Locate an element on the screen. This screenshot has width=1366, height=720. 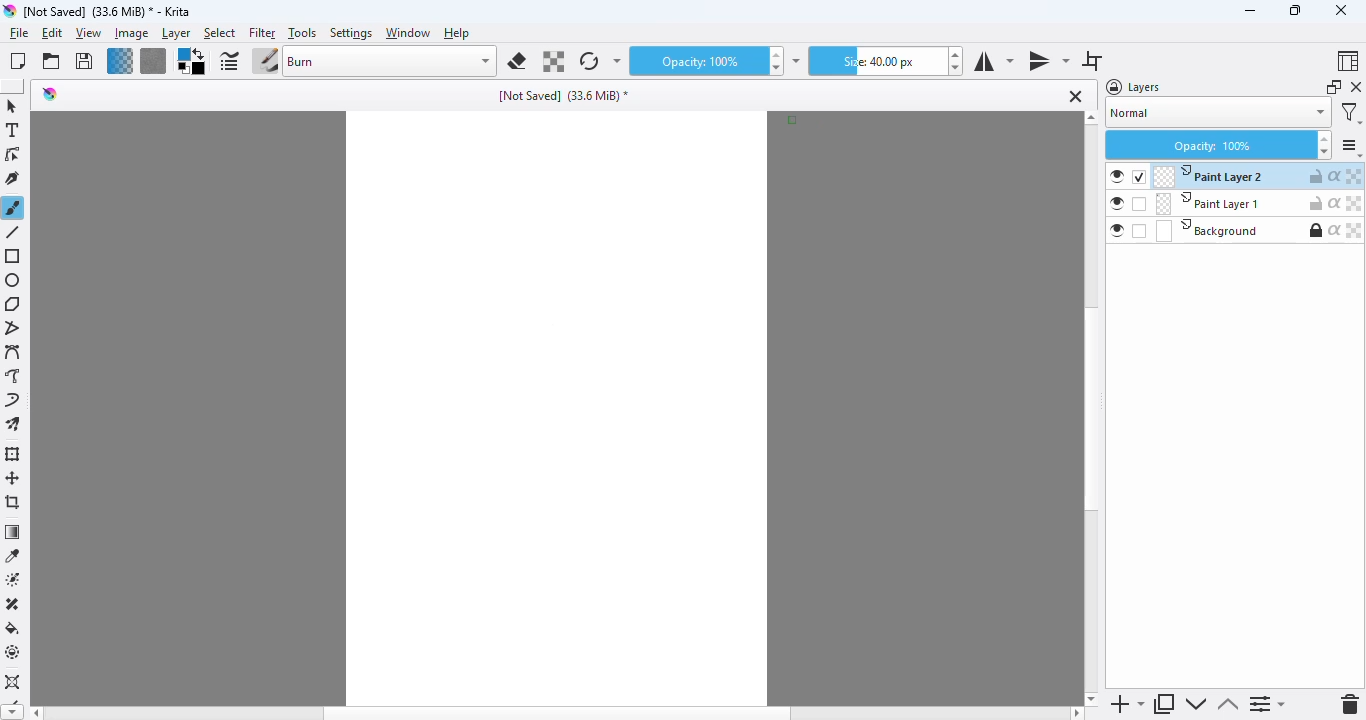
move layer or mask up is located at coordinates (1228, 705).